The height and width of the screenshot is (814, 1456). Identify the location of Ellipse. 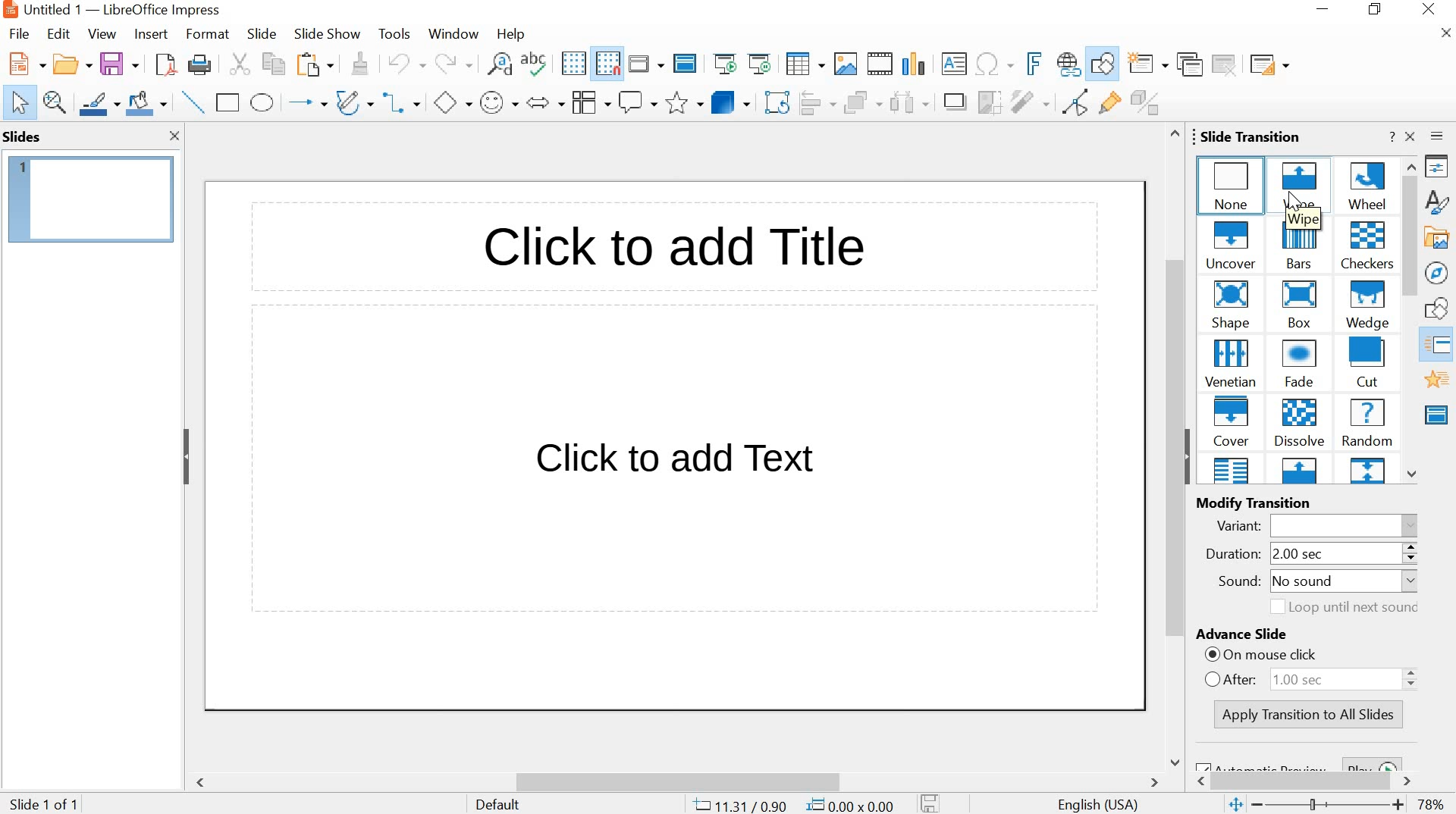
(263, 102).